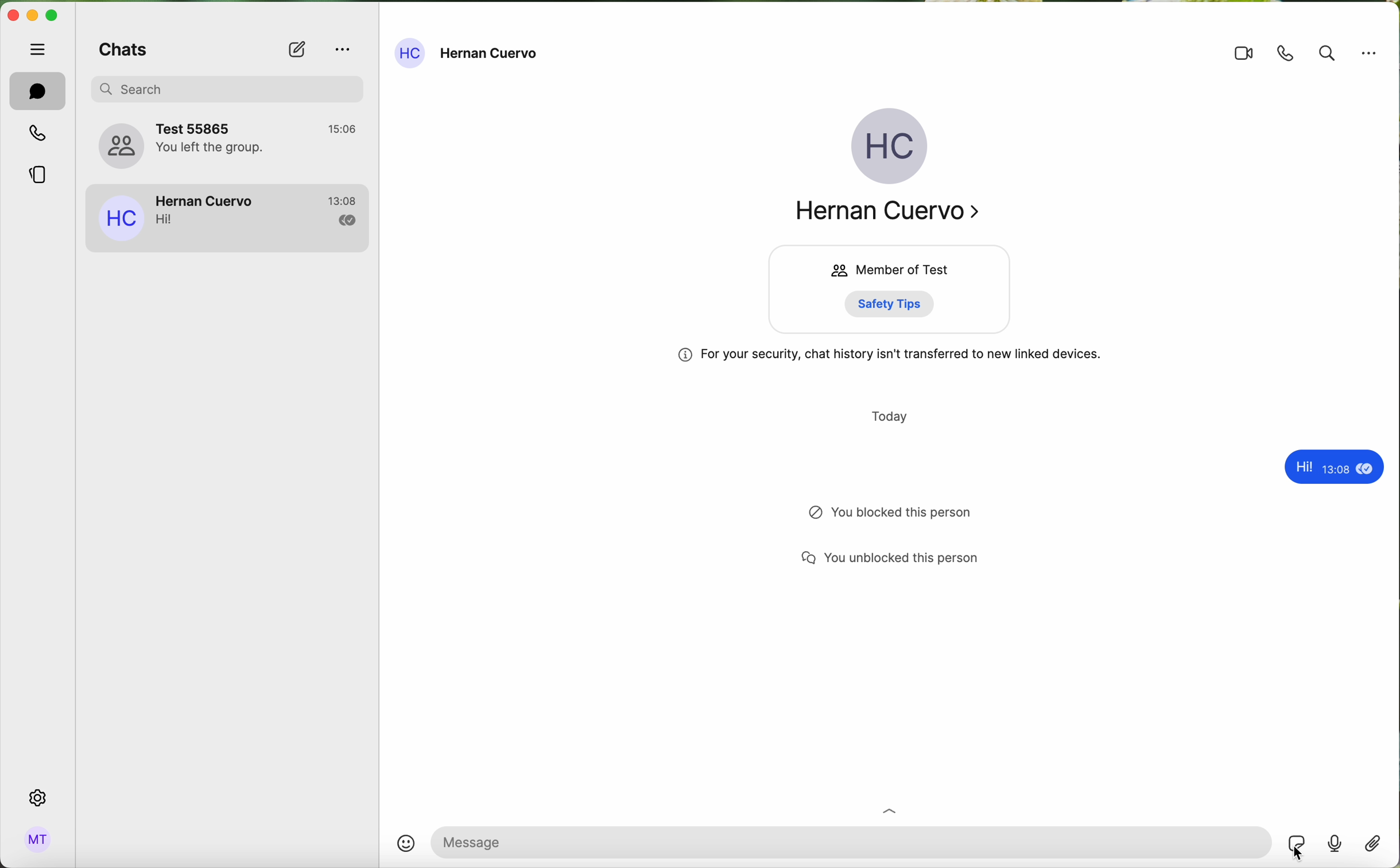  Describe the element at coordinates (296, 51) in the screenshot. I see `new chat` at that location.